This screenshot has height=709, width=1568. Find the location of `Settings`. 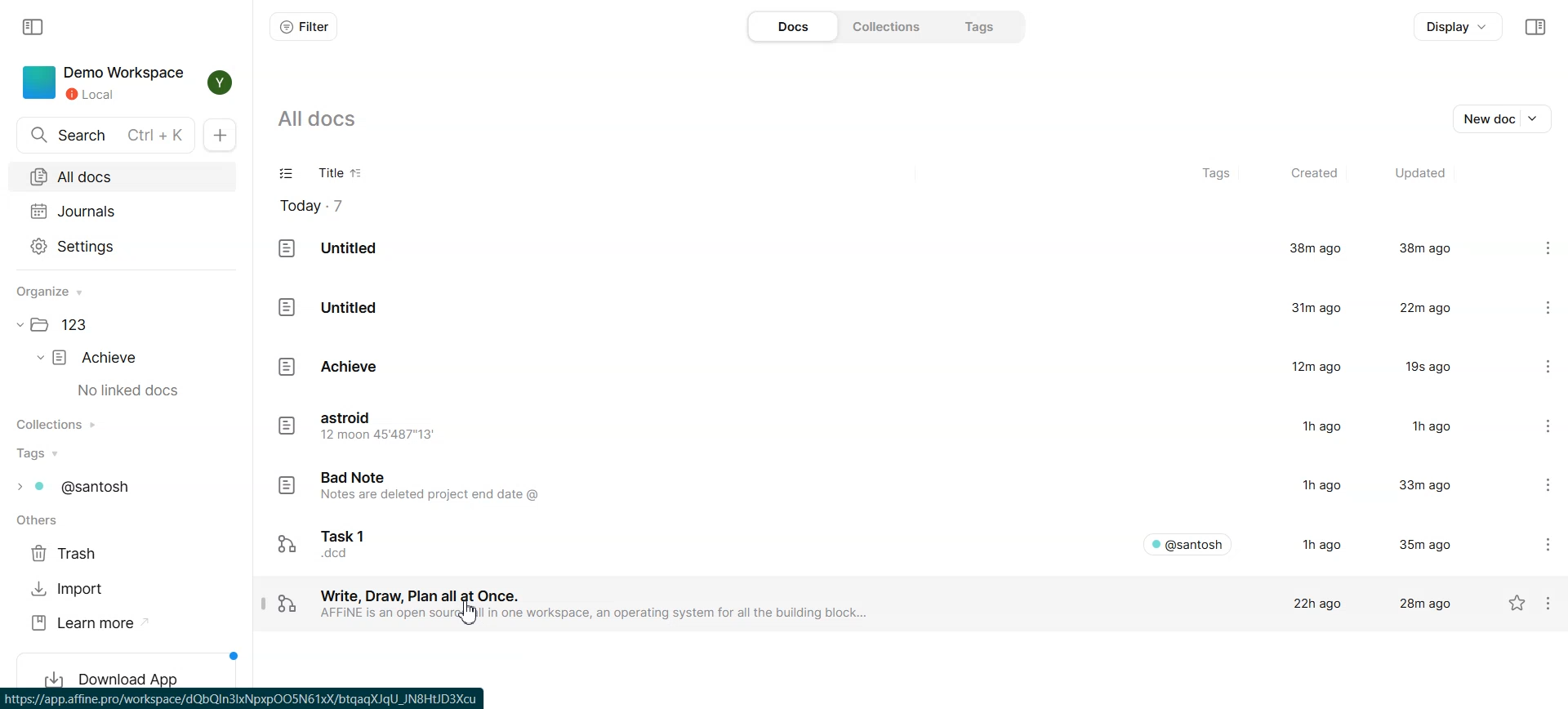

Settings is located at coordinates (1535, 542).